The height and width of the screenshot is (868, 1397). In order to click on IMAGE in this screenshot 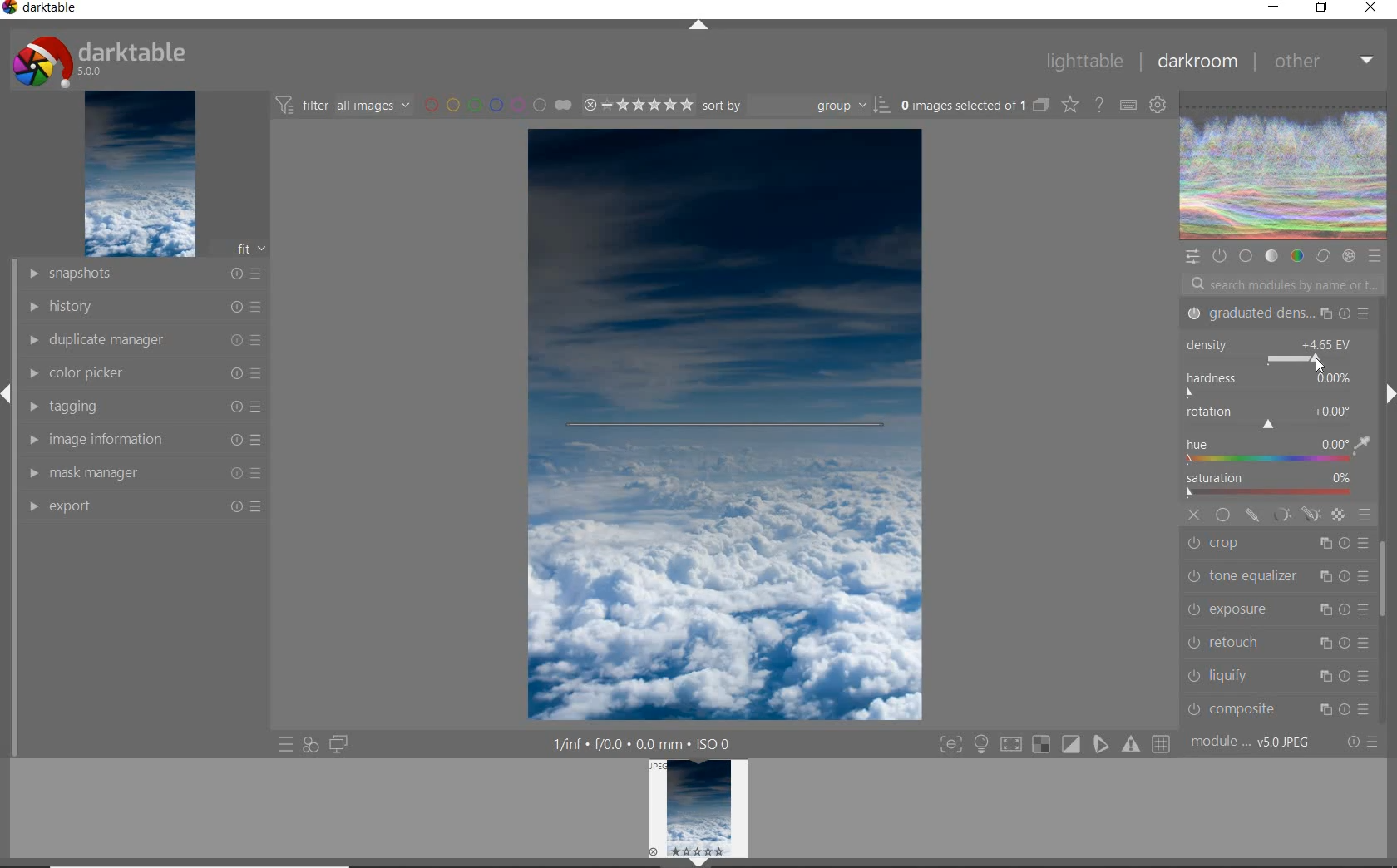, I will do `click(138, 175)`.